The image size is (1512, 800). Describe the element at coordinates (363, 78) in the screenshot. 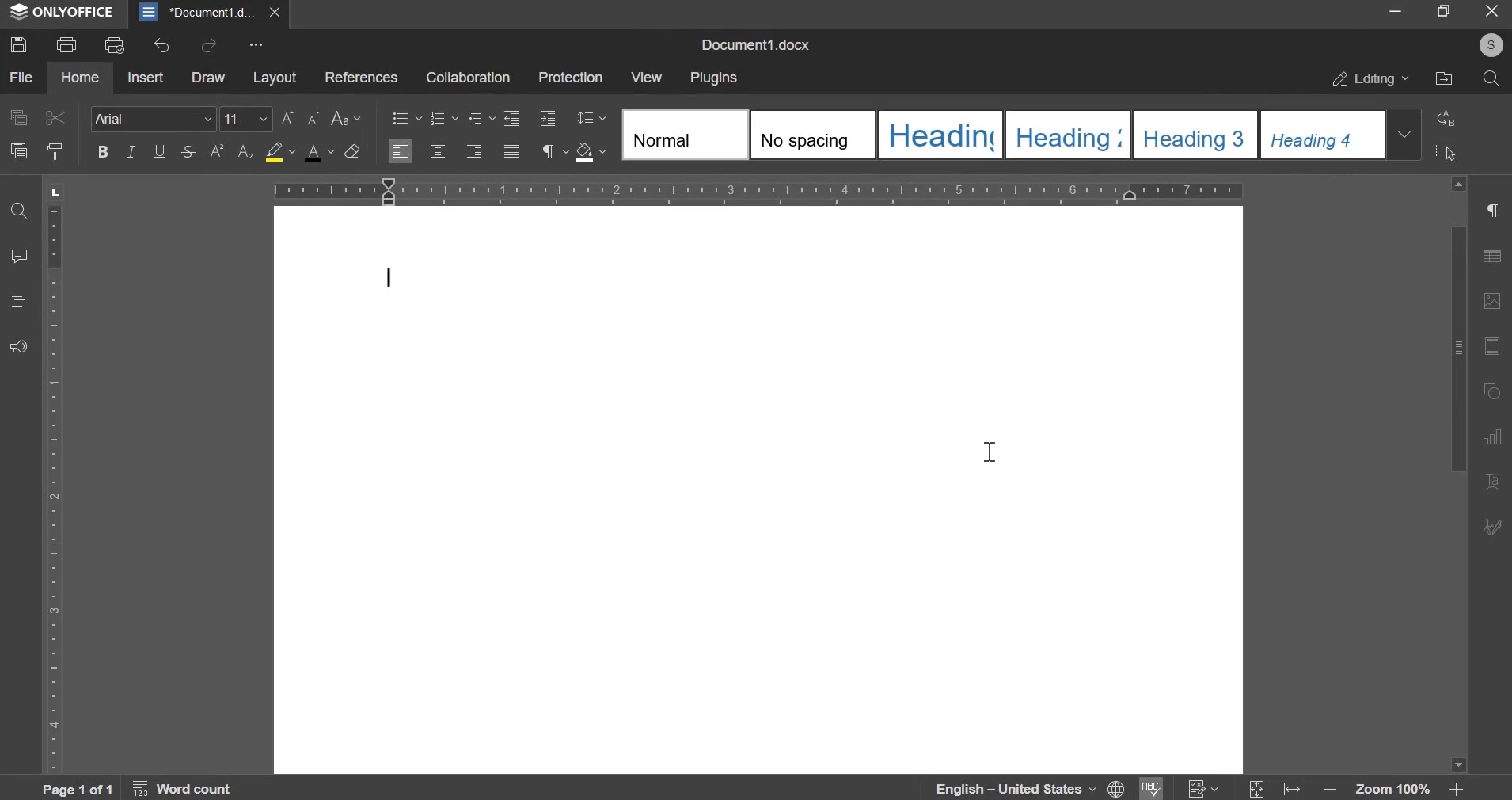

I see `references` at that location.